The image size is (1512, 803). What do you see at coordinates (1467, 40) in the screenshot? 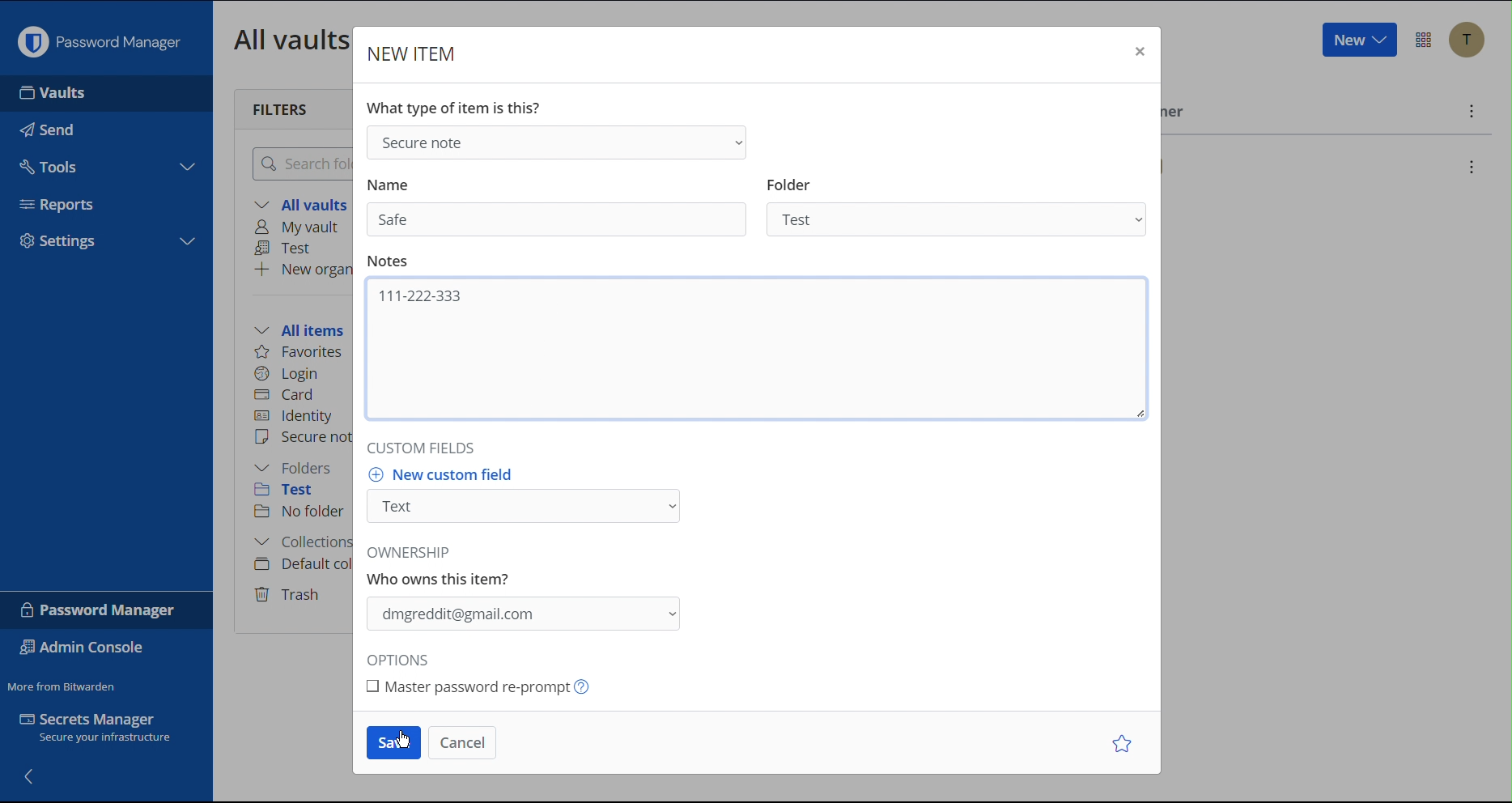
I see `Accounts` at bounding box center [1467, 40].